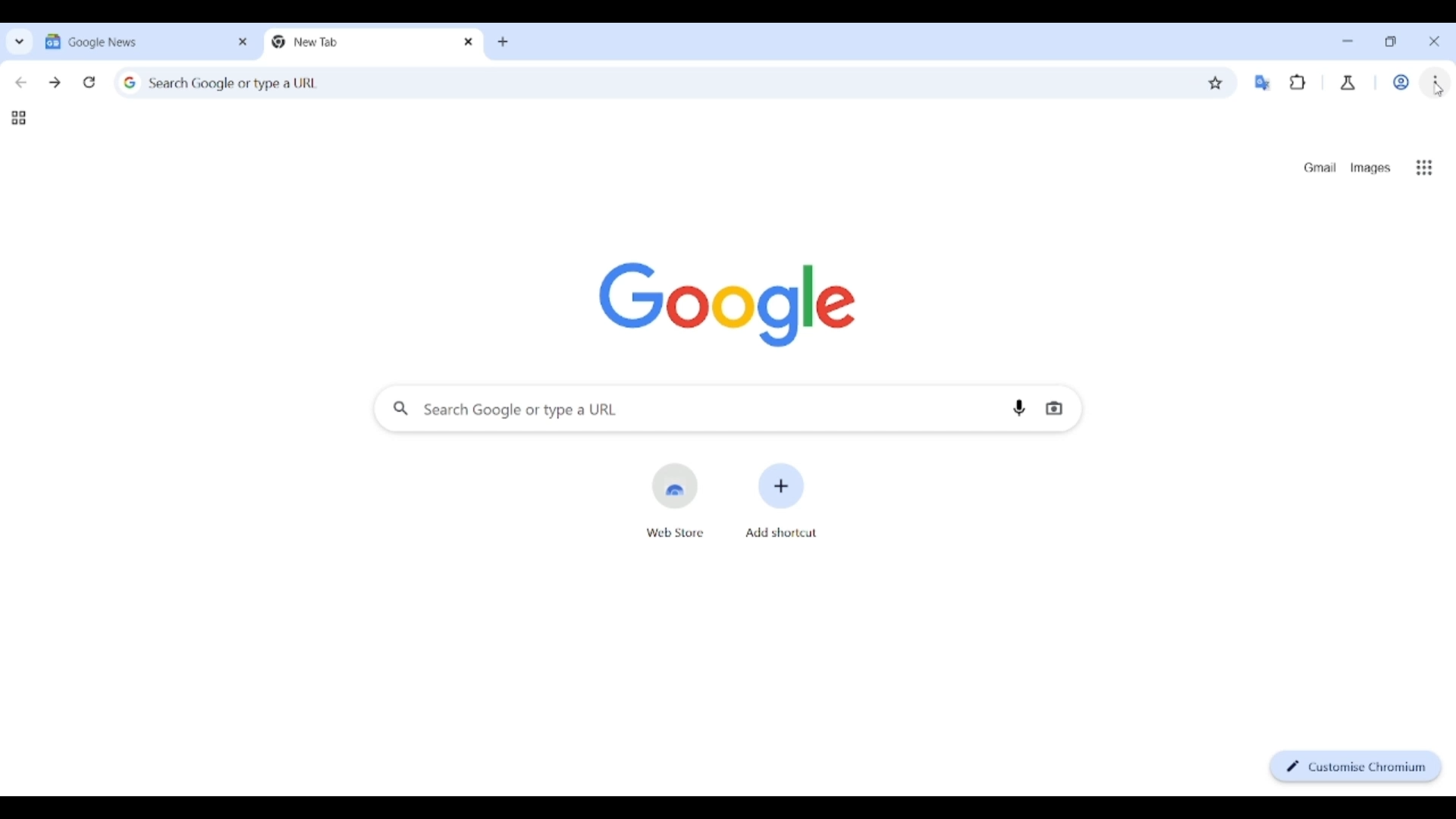  What do you see at coordinates (135, 41) in the screenshot?
I see `Tab 1` at bounding box center [135, 41].